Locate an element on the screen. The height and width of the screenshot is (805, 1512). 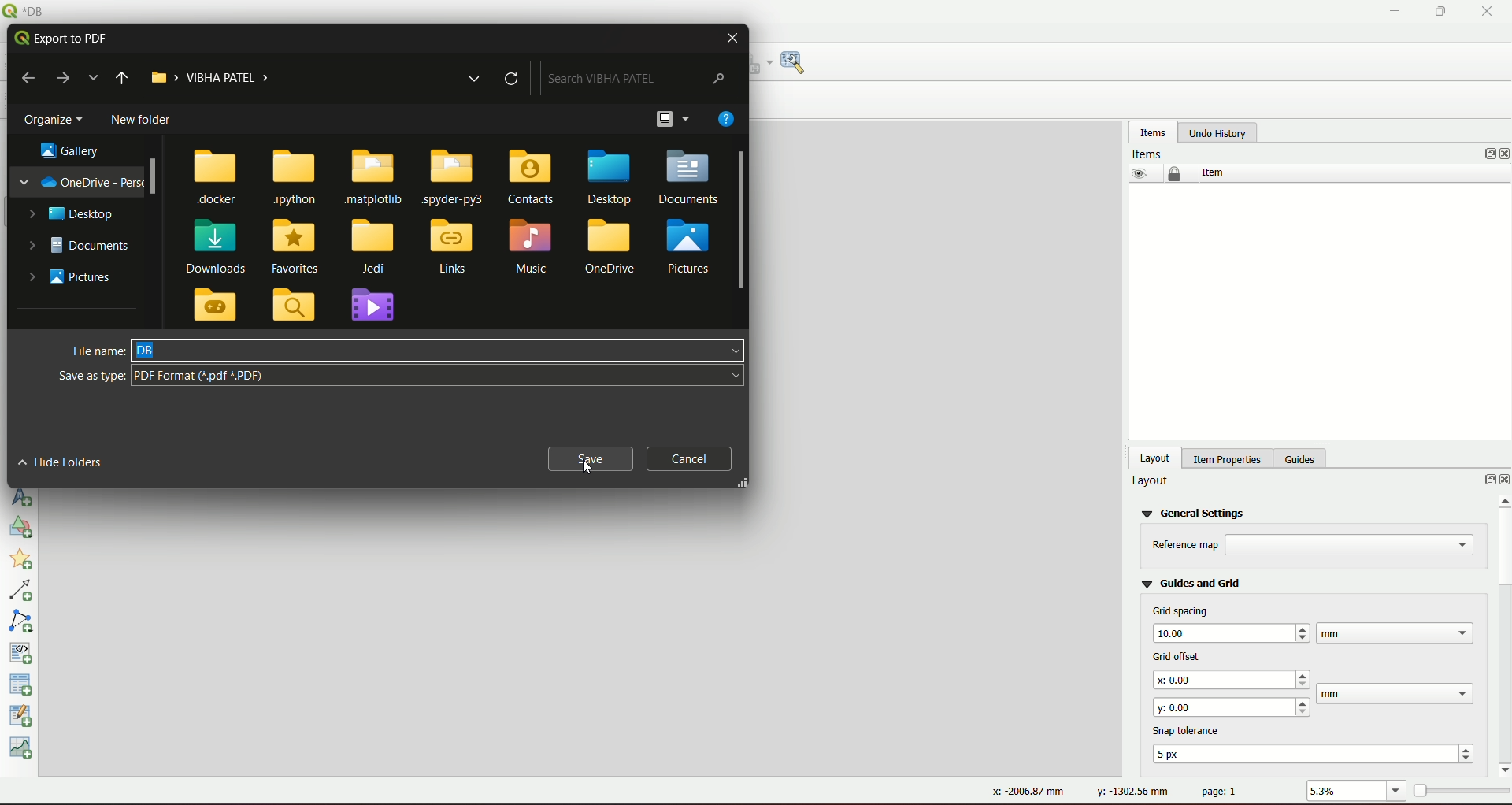
x-2006.87 mm is located at coordinates (1022, 792).